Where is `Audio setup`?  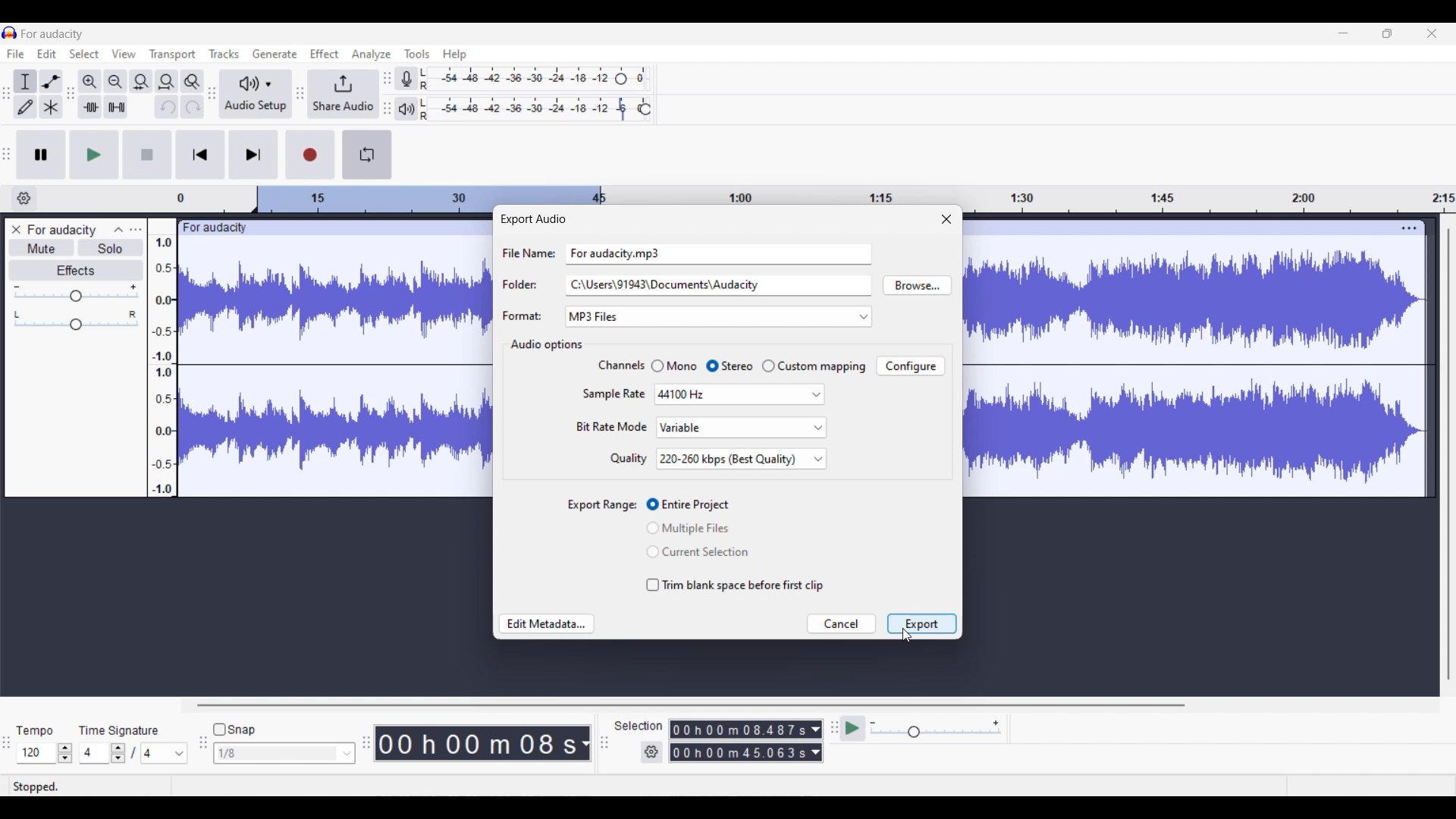
Audio setup is located at coordinates (256, 95).